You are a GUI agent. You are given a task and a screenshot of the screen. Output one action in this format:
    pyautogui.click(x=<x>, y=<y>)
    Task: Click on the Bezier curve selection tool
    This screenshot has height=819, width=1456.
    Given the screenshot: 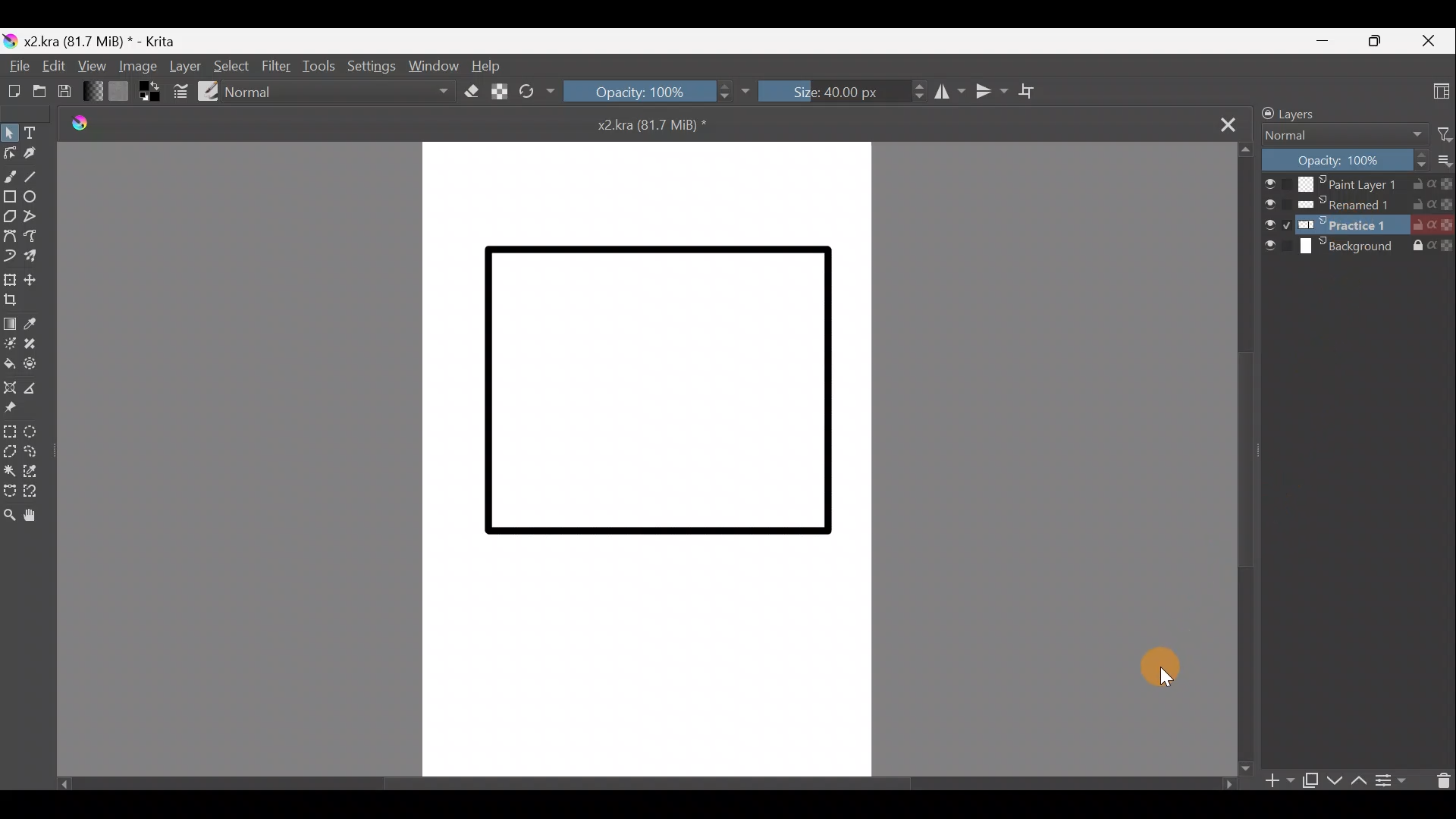 What is the action you would take?
    pyautogui.click(x=9, y=488)
    